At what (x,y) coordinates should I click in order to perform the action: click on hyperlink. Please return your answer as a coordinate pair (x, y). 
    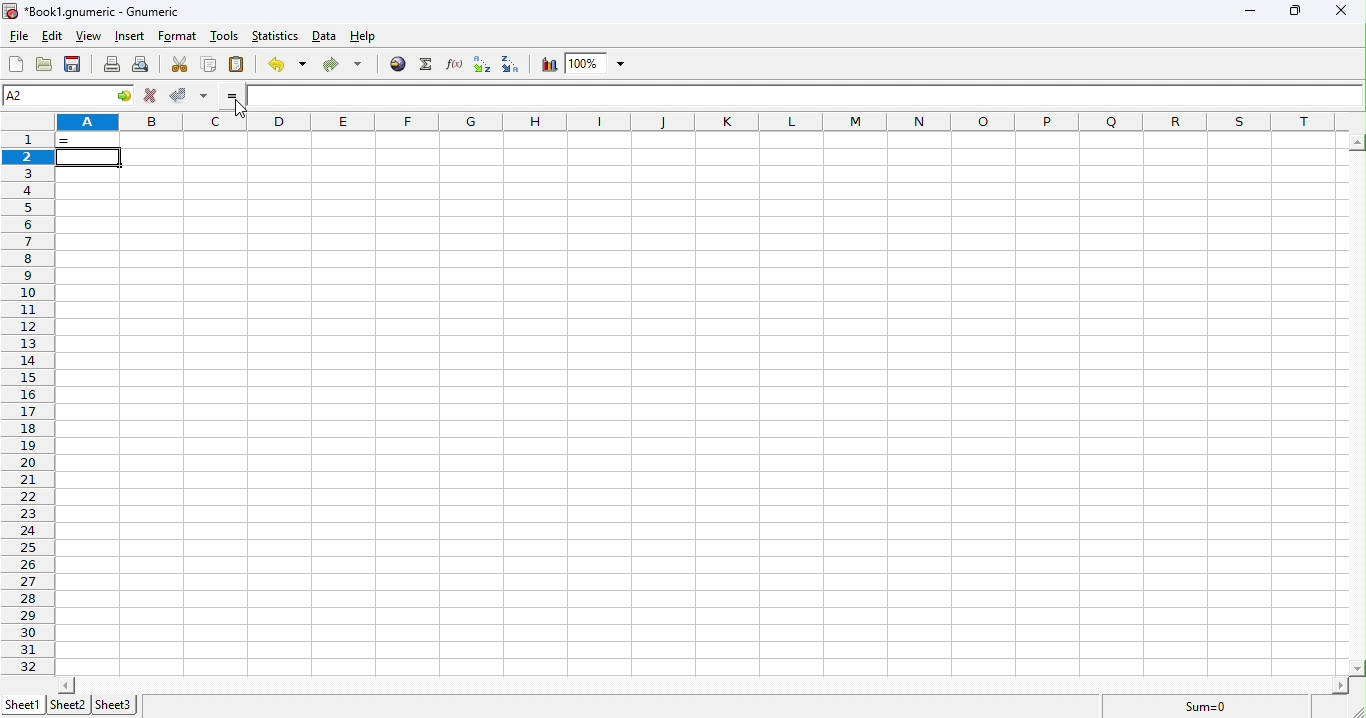
    Looking at the image, I should click on (396, 65).